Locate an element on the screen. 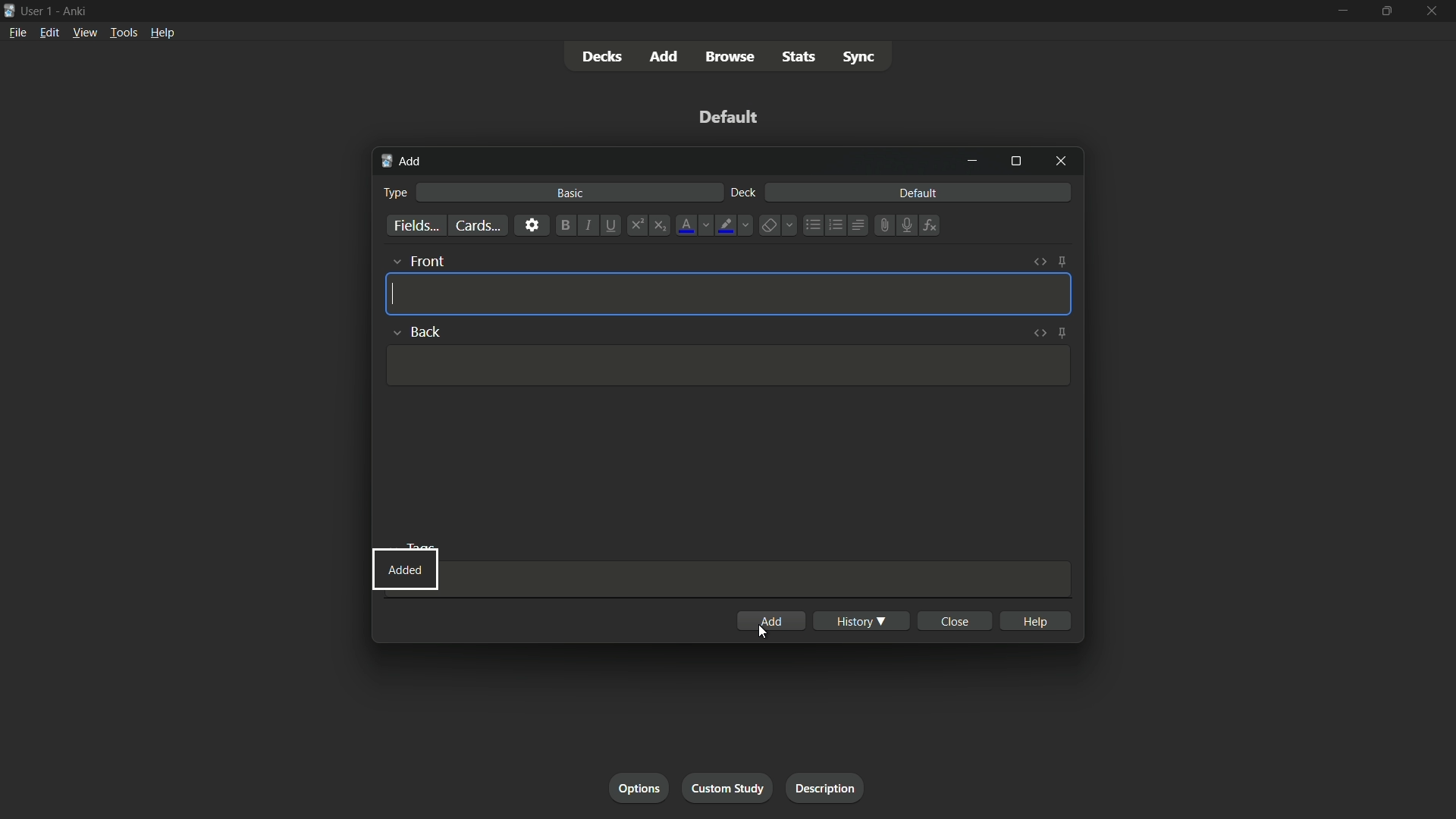  minimize is located at coordinates (1341, 11).